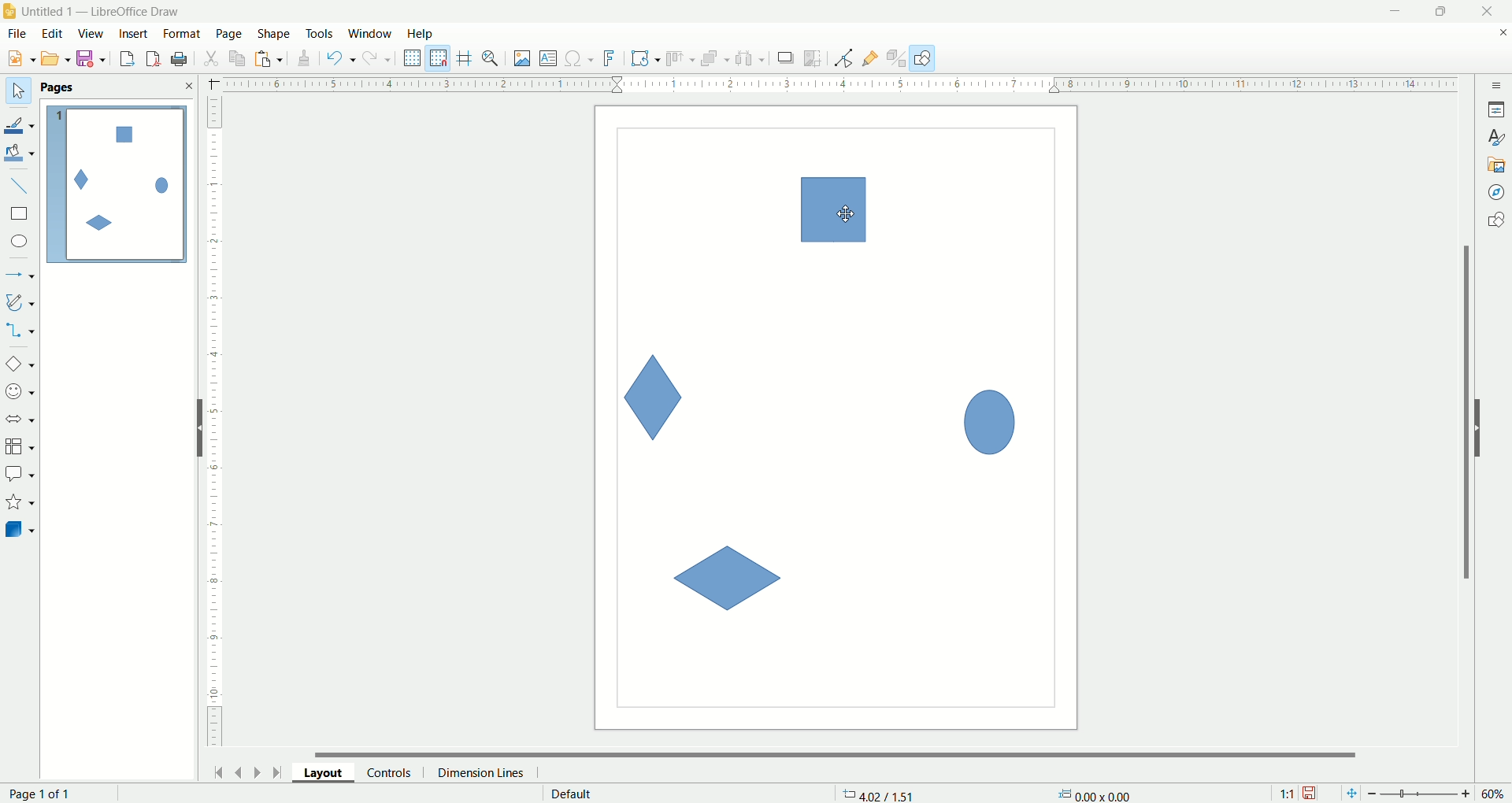 This screenshot has height=803, width=1512. What do you see at coordinates (19, 501) in the screenshot?
I see `stars and banners` at bounding box center [19, 501].